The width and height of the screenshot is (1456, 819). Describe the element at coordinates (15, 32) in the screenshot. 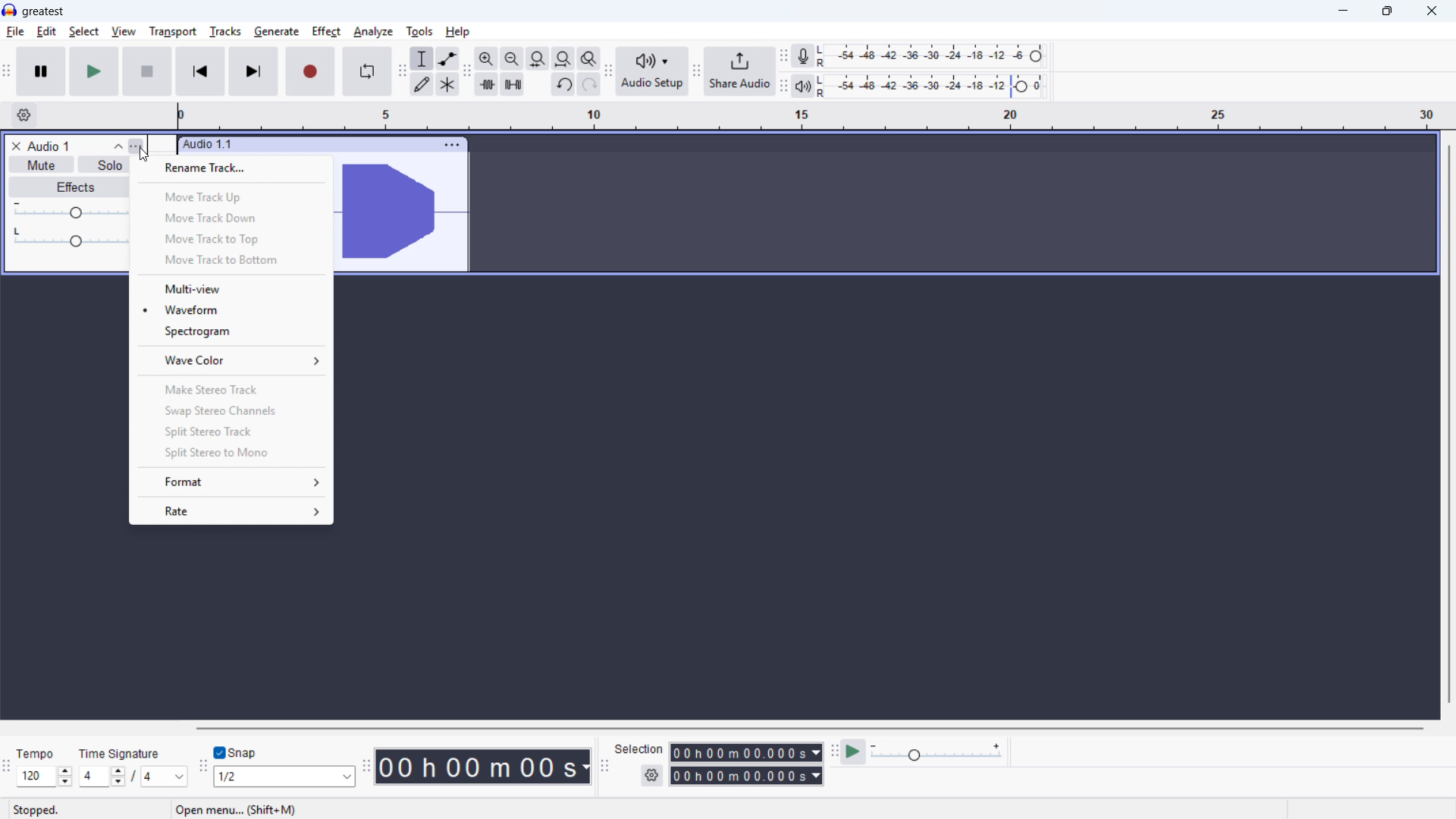

I see `File ` at that location.